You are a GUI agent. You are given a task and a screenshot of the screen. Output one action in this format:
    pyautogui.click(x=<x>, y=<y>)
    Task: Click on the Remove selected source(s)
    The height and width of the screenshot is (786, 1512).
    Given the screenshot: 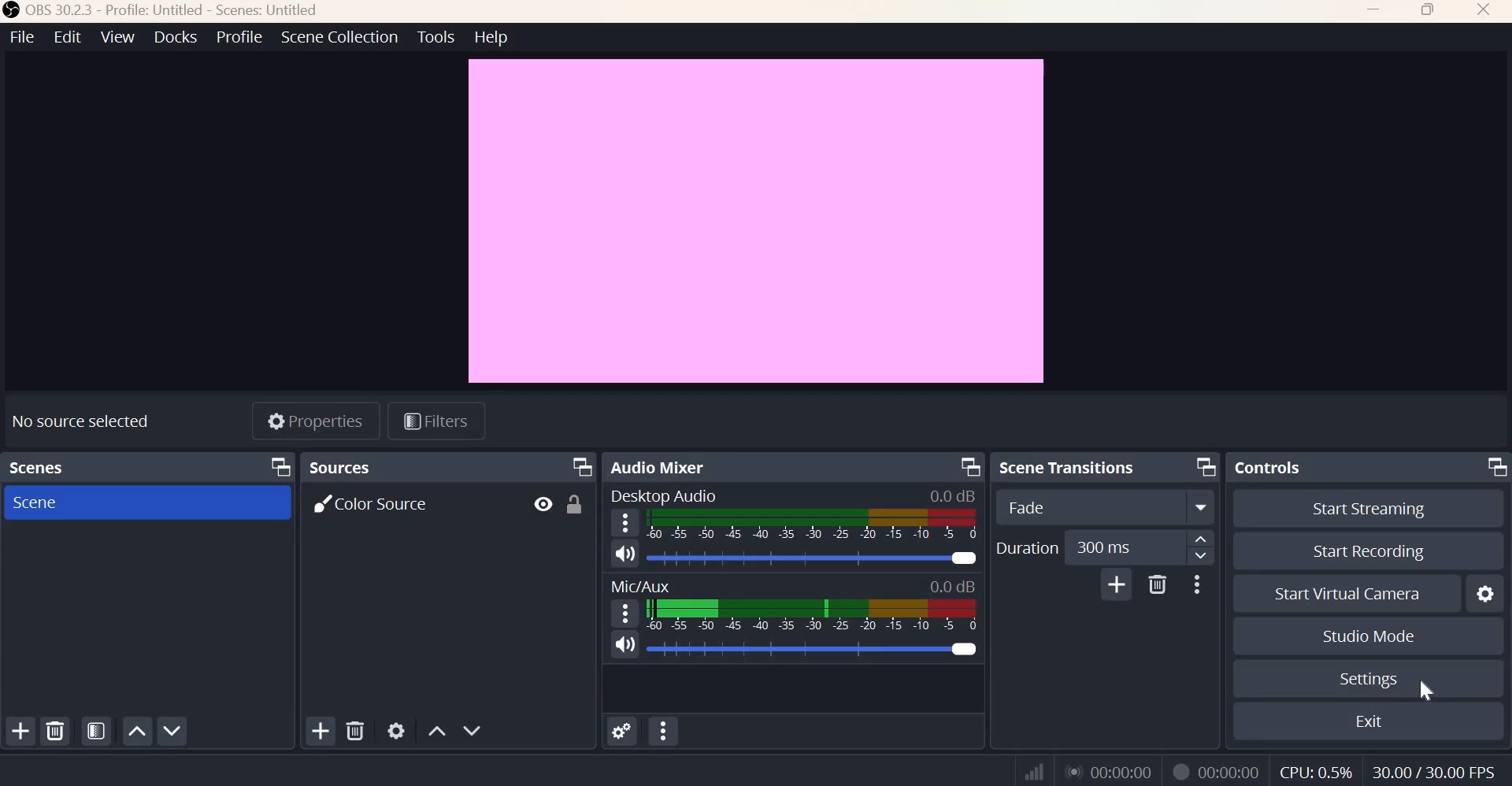 What is the action you would take?
    pyautogui.click(x=357, y=731)
    